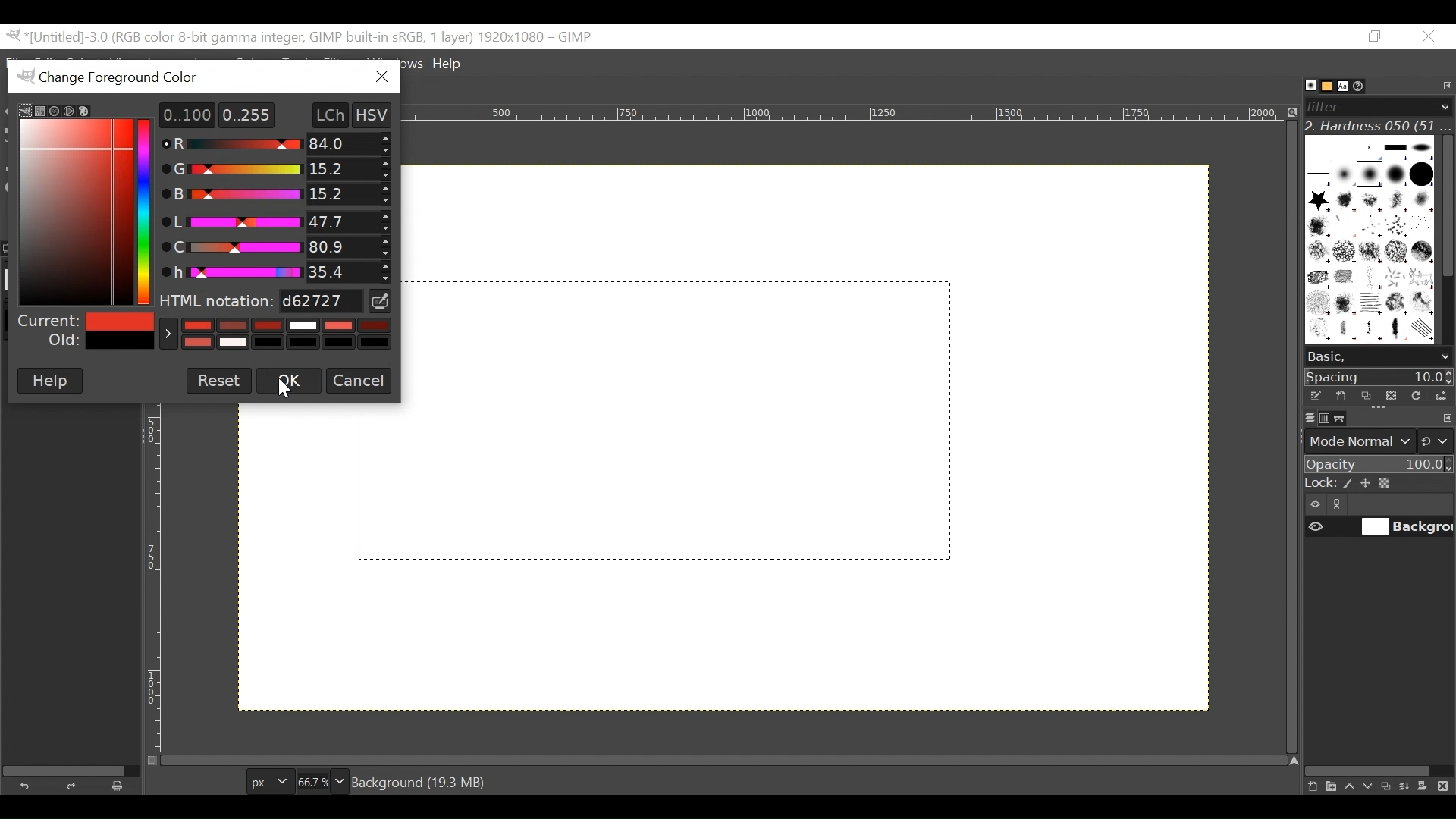 The height and width of the screenshot is (819, 1456). What do you see at coordinates (358, 380) in the screenshot?
I see `Cancel` at bounding box center [358, 380].